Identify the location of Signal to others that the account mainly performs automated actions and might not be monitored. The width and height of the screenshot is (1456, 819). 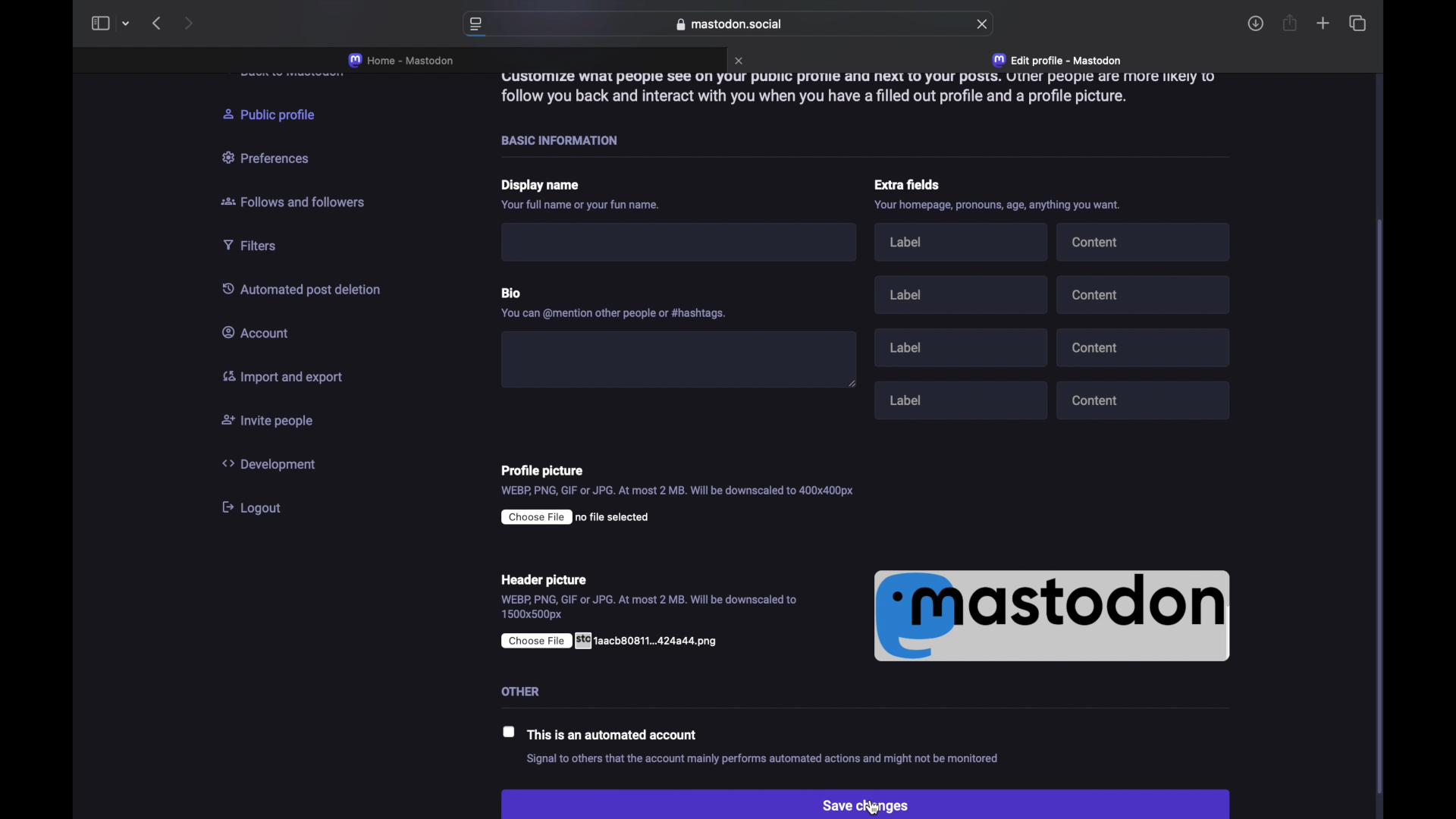
(785, 761).